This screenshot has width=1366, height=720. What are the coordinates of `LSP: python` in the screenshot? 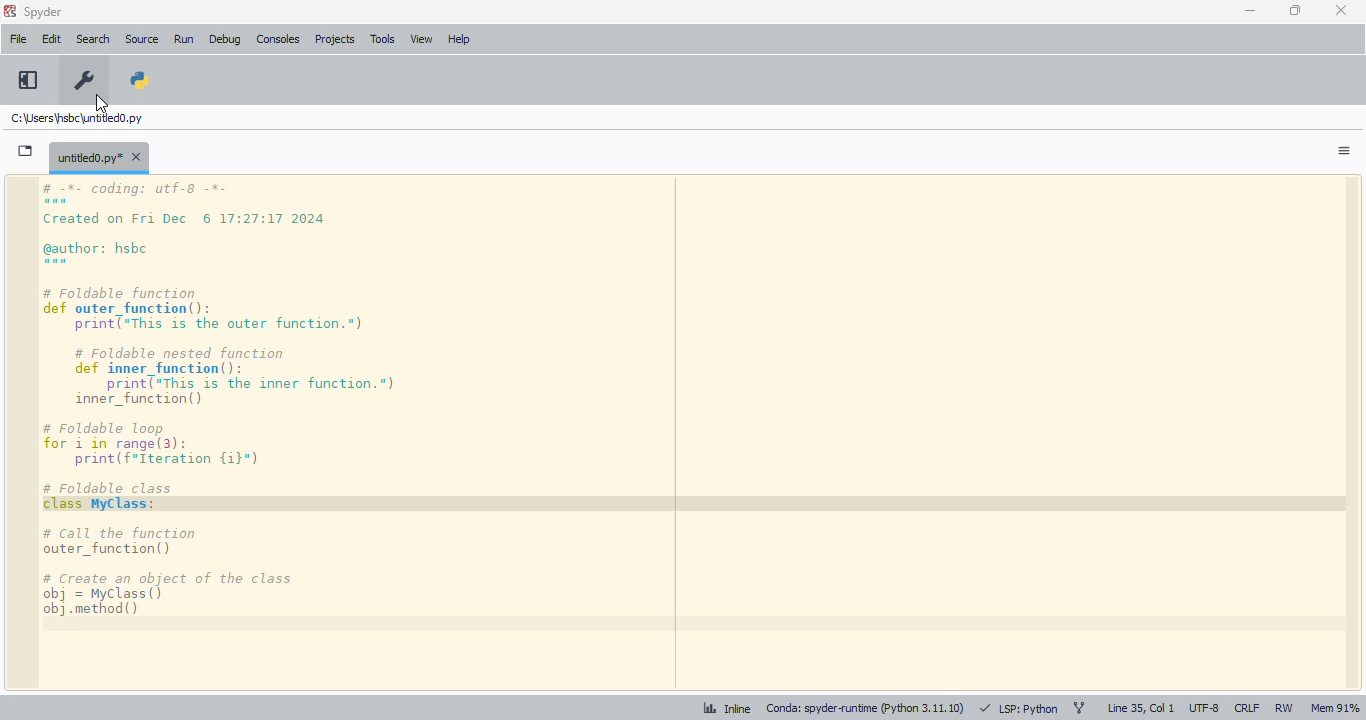 It's located at (1018, 708).